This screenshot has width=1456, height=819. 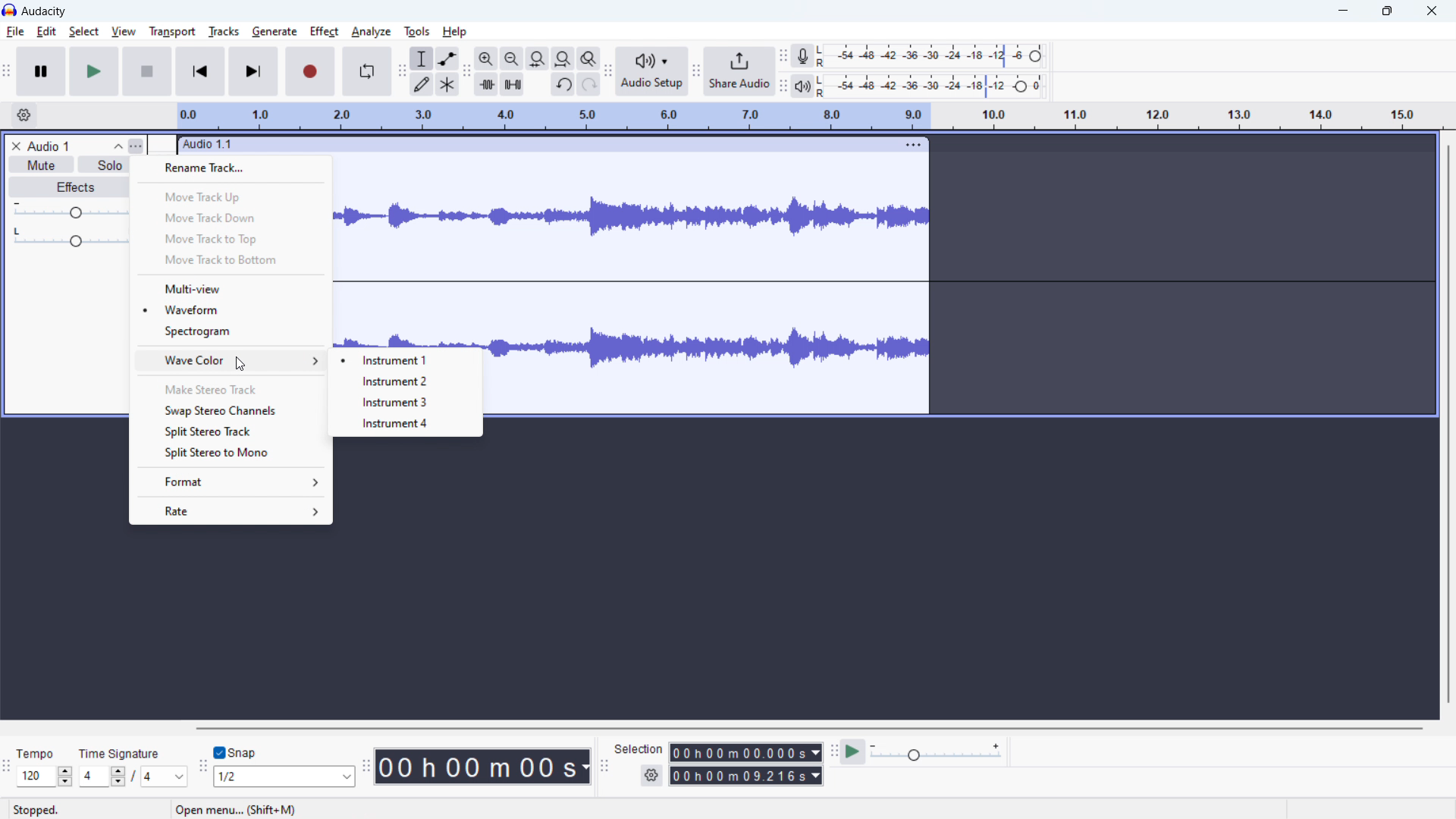 I want to click on play at speed toolbar, so click(x=833, y=752).